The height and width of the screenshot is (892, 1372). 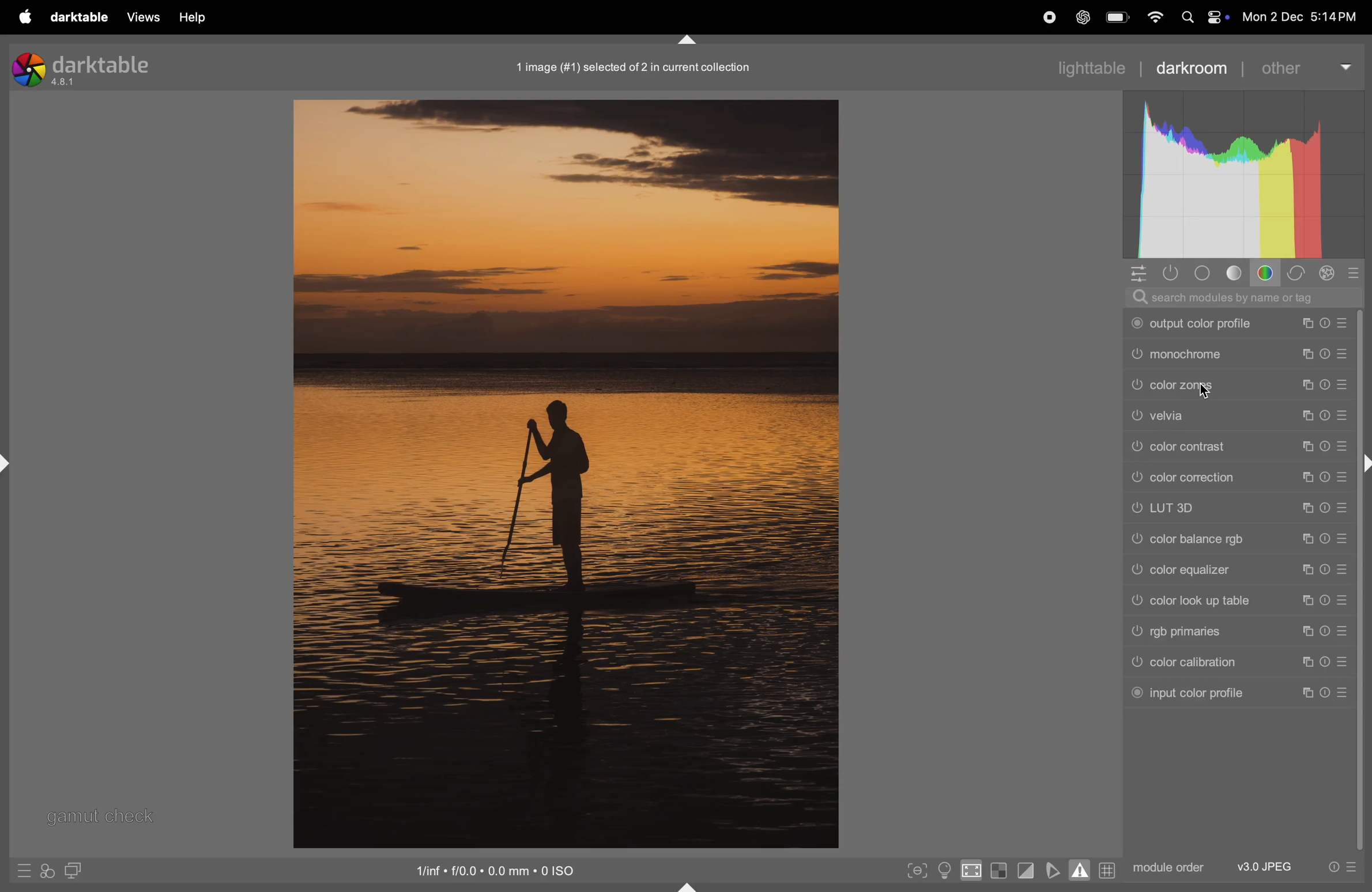 What do you see at coordinates (1341, 507) in the screenshot?
I see `preset` at bounding box center [1341, 507].